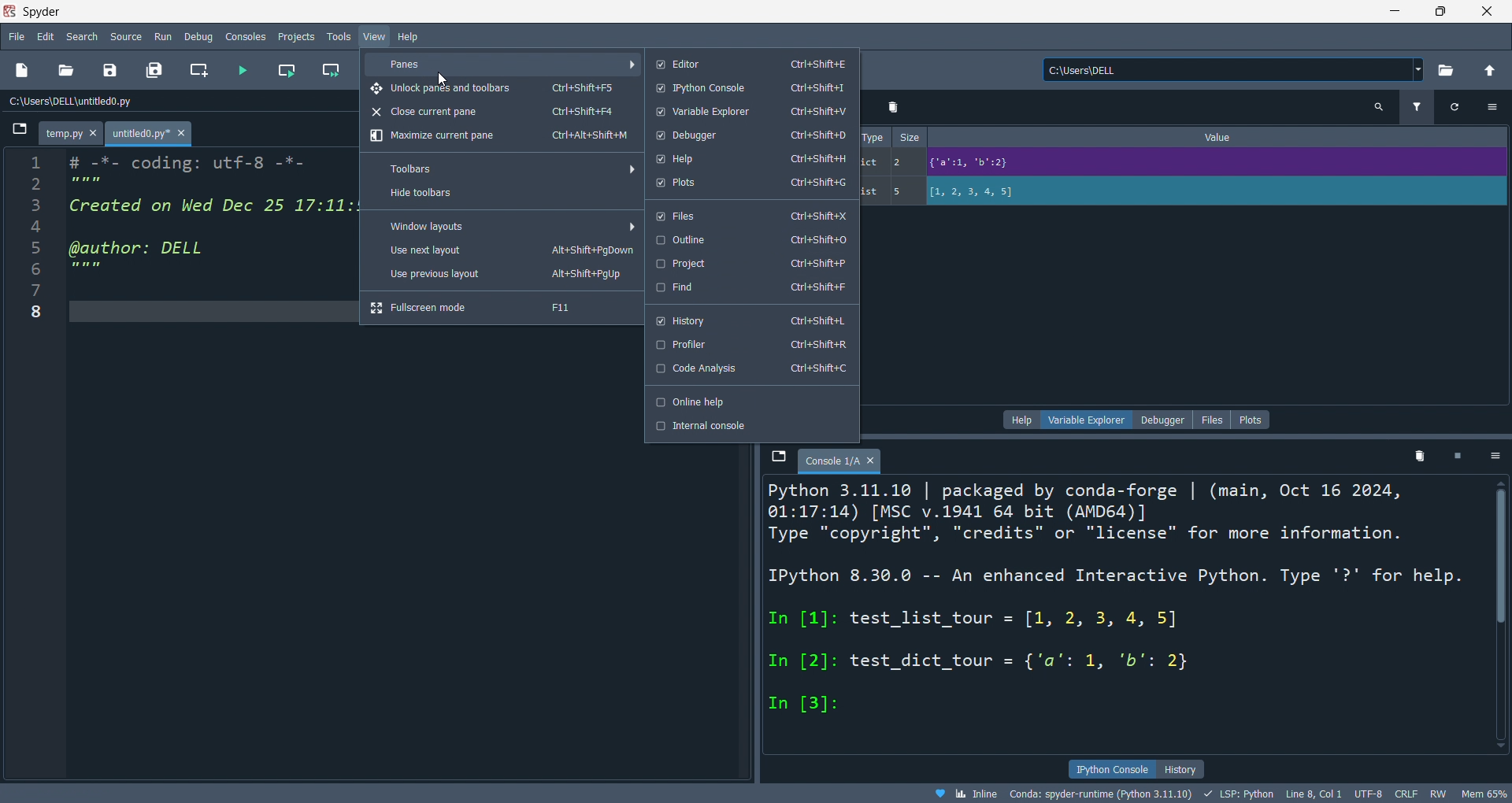 Image resolution: width=1512 pixels, height=803 pixels. Describe the element at coordinates (754, 90) in the screenshot. I see `python console` at that location.